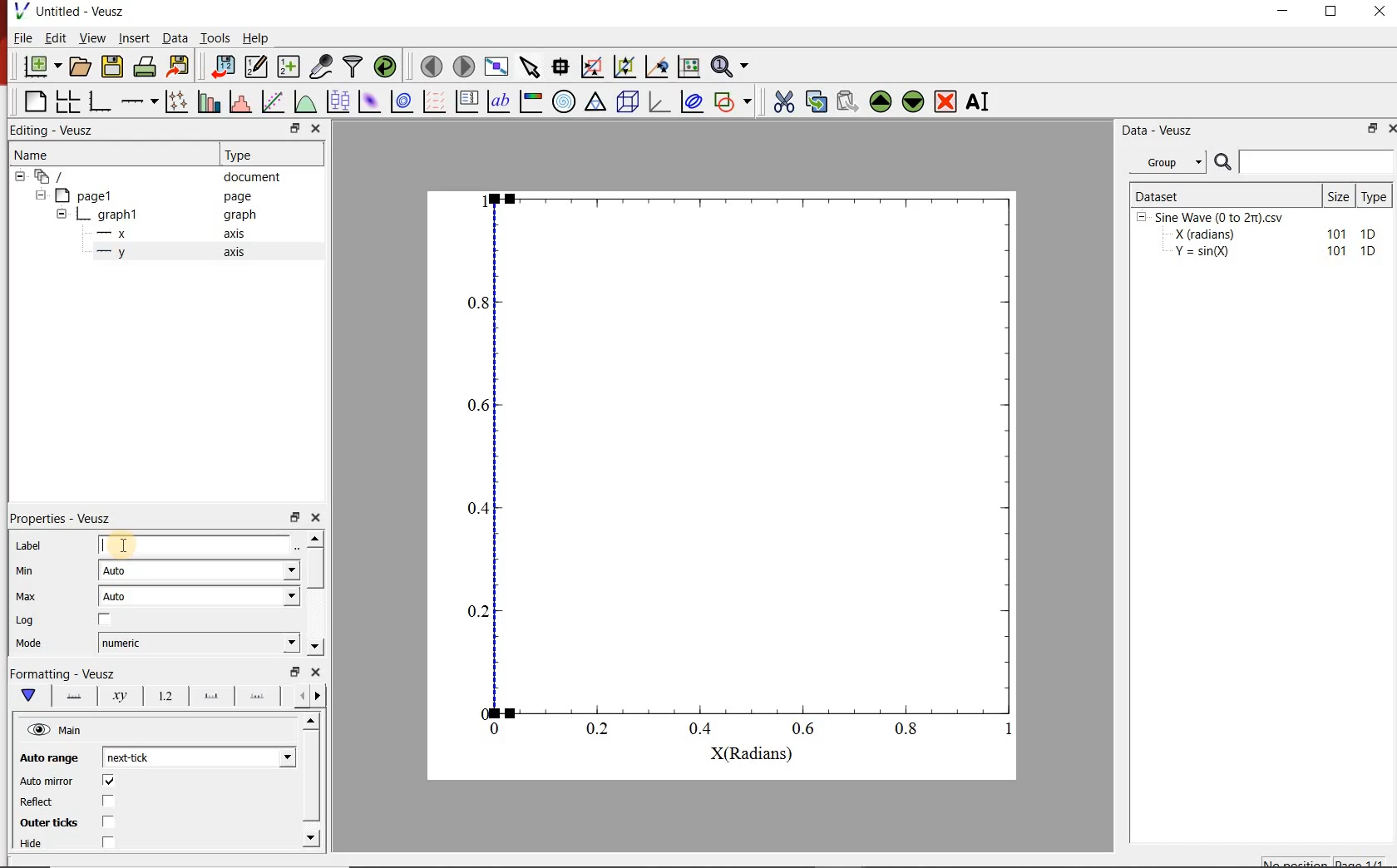 This screenshot has width=1397, height=868. Describe the element at coordinates (689, 66) in the screenshot. I see `click to reset graphs` at that location.